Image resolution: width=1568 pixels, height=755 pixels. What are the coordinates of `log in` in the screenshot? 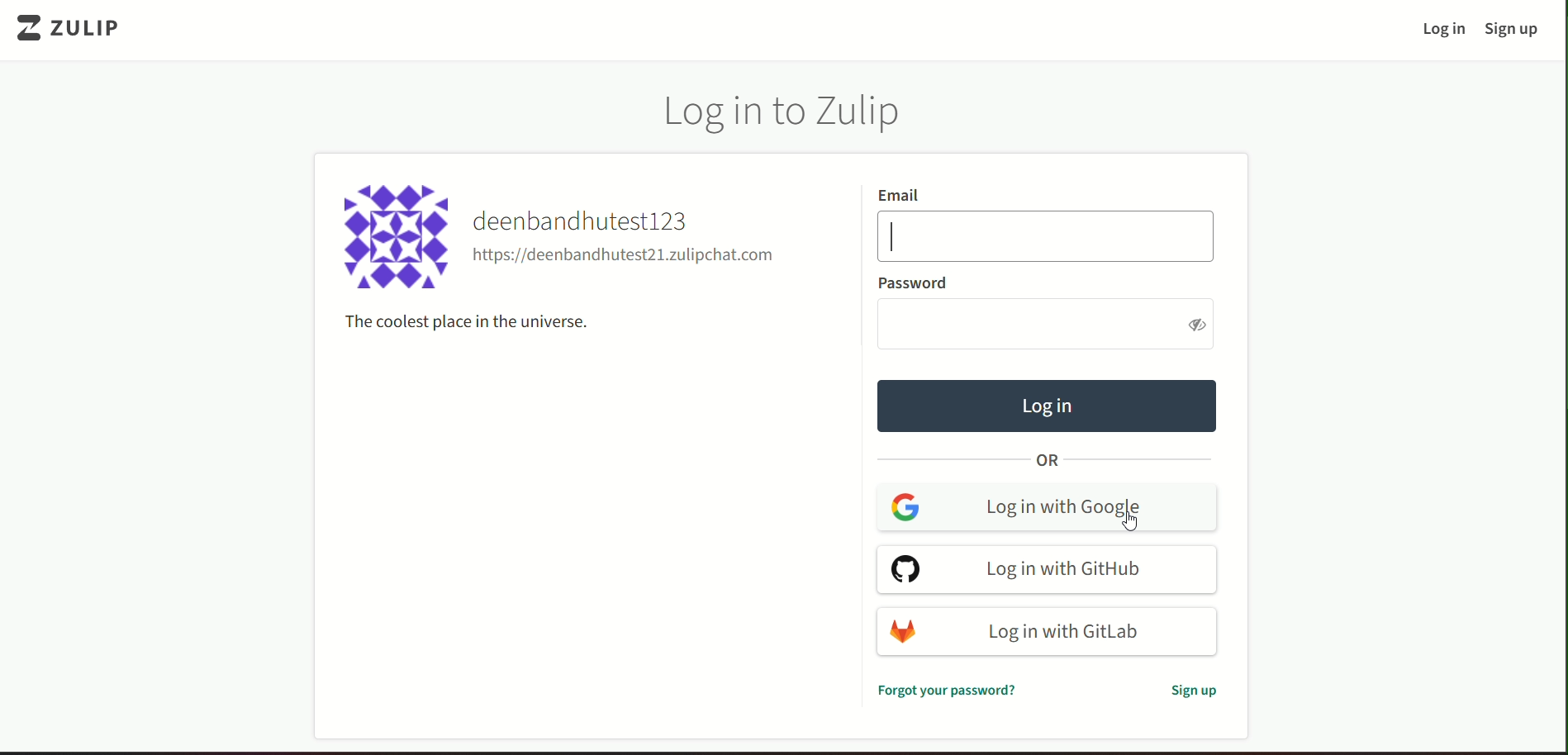 It's located at (1047, 405).